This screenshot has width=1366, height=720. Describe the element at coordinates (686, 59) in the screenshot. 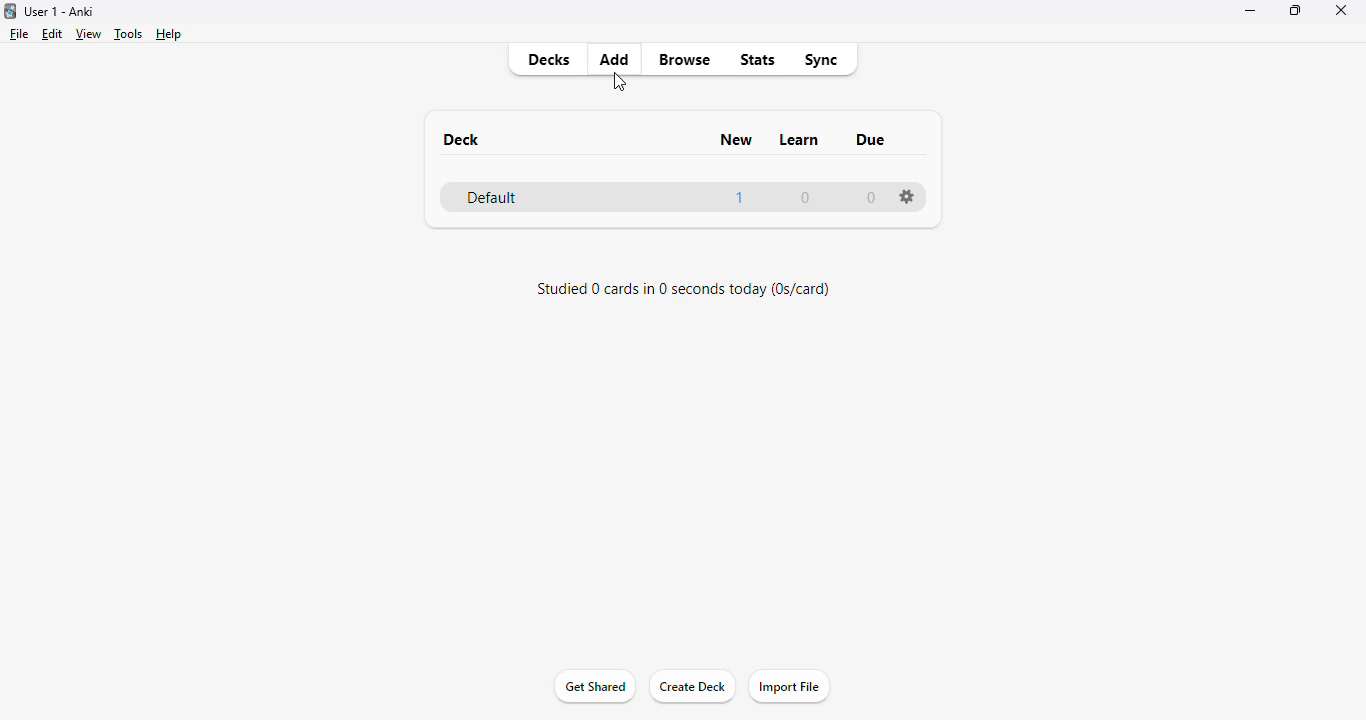

I see `browse` at that location.